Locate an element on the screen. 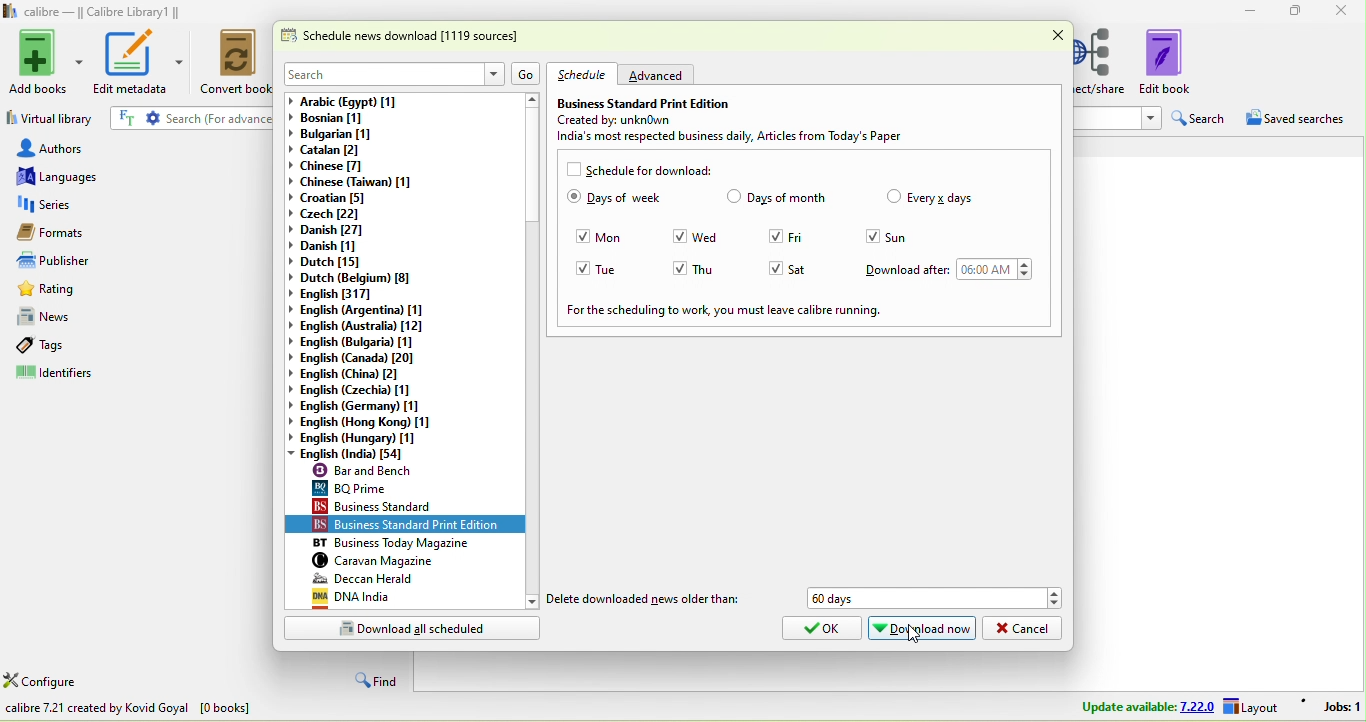 The width and height of the screenshot is (1366, 722). saved searches is located at coordinates (1296, 118).